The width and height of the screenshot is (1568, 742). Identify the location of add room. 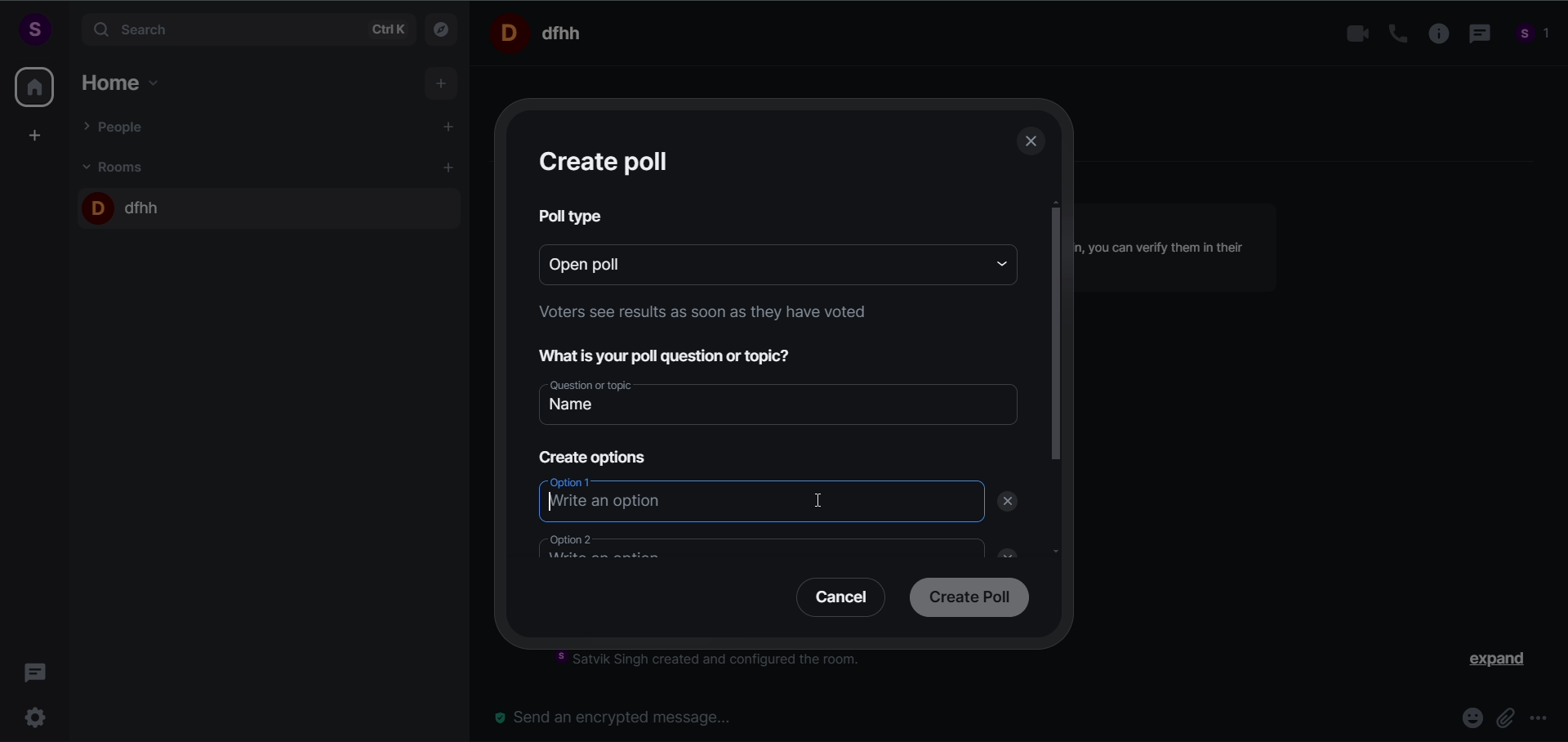
(451, 168).